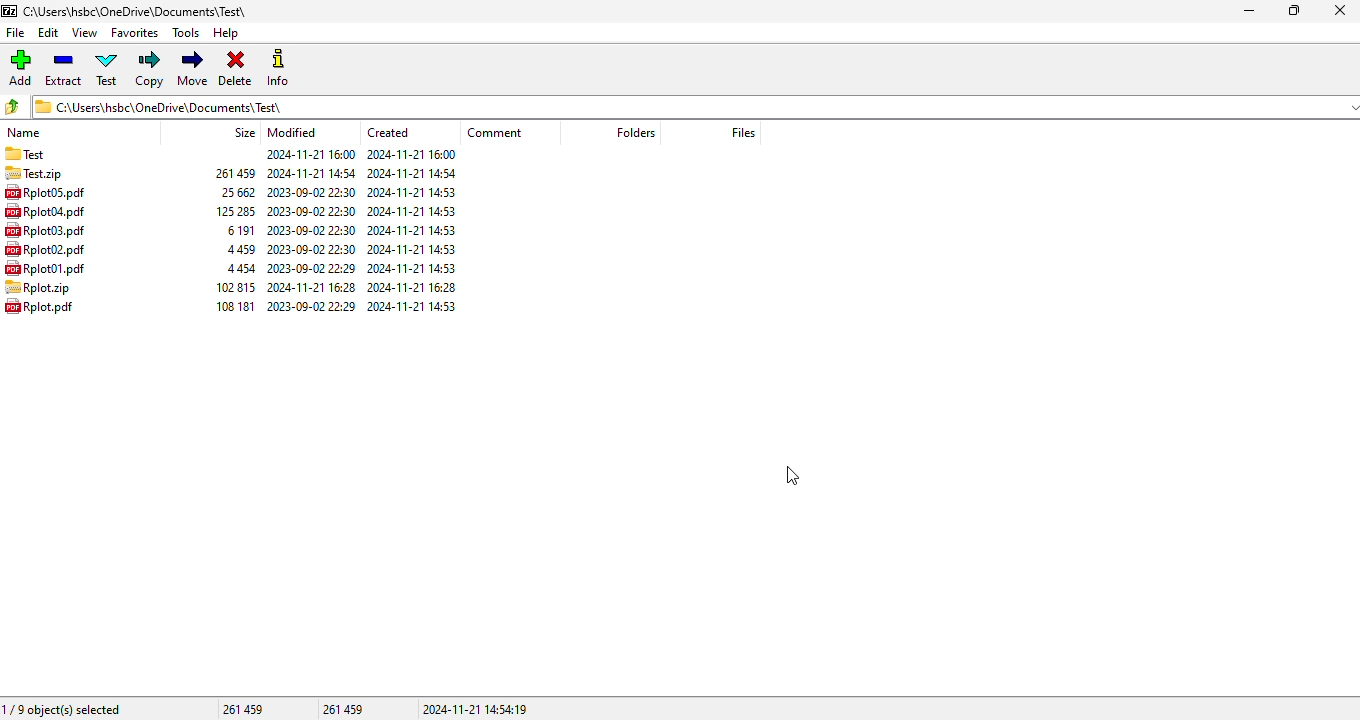 The image size is (1360, 720). Describe the element at coordinates (279, 67) in the screenshot. I see `info` at that location.